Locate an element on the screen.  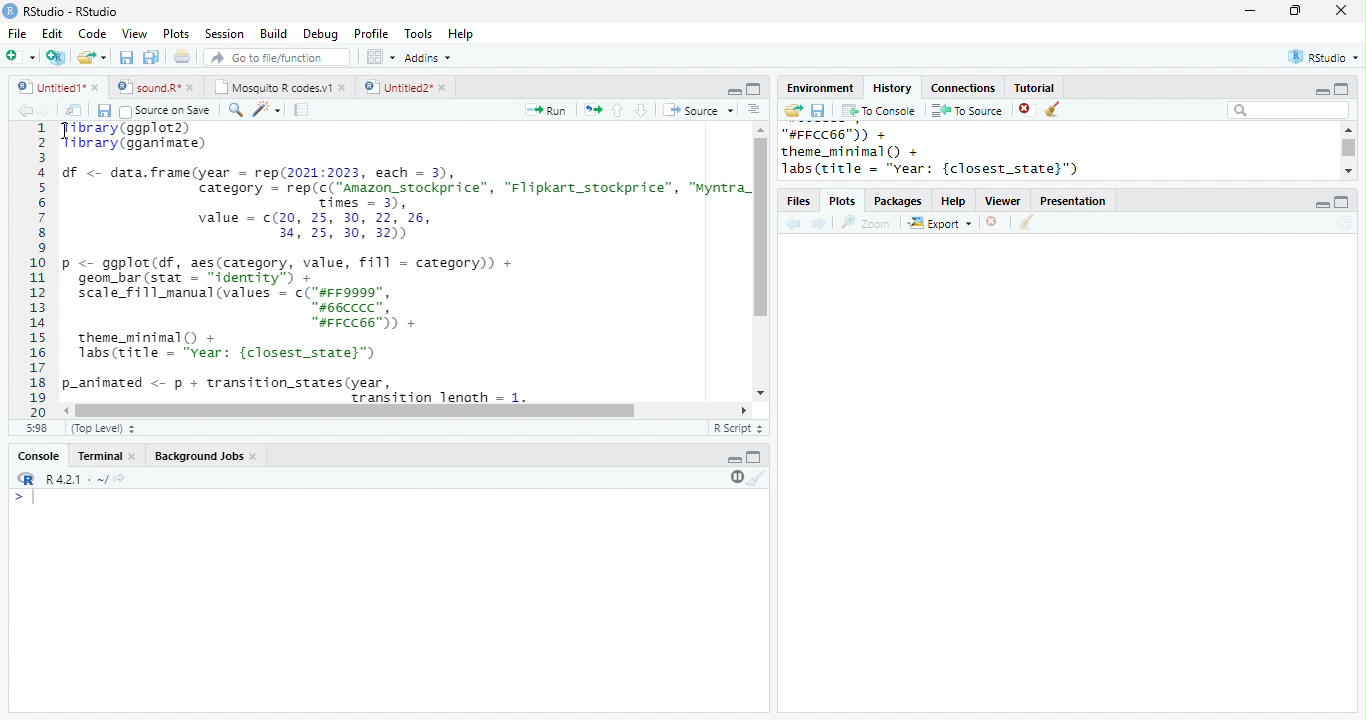
View is located at coordinates (135, 33).